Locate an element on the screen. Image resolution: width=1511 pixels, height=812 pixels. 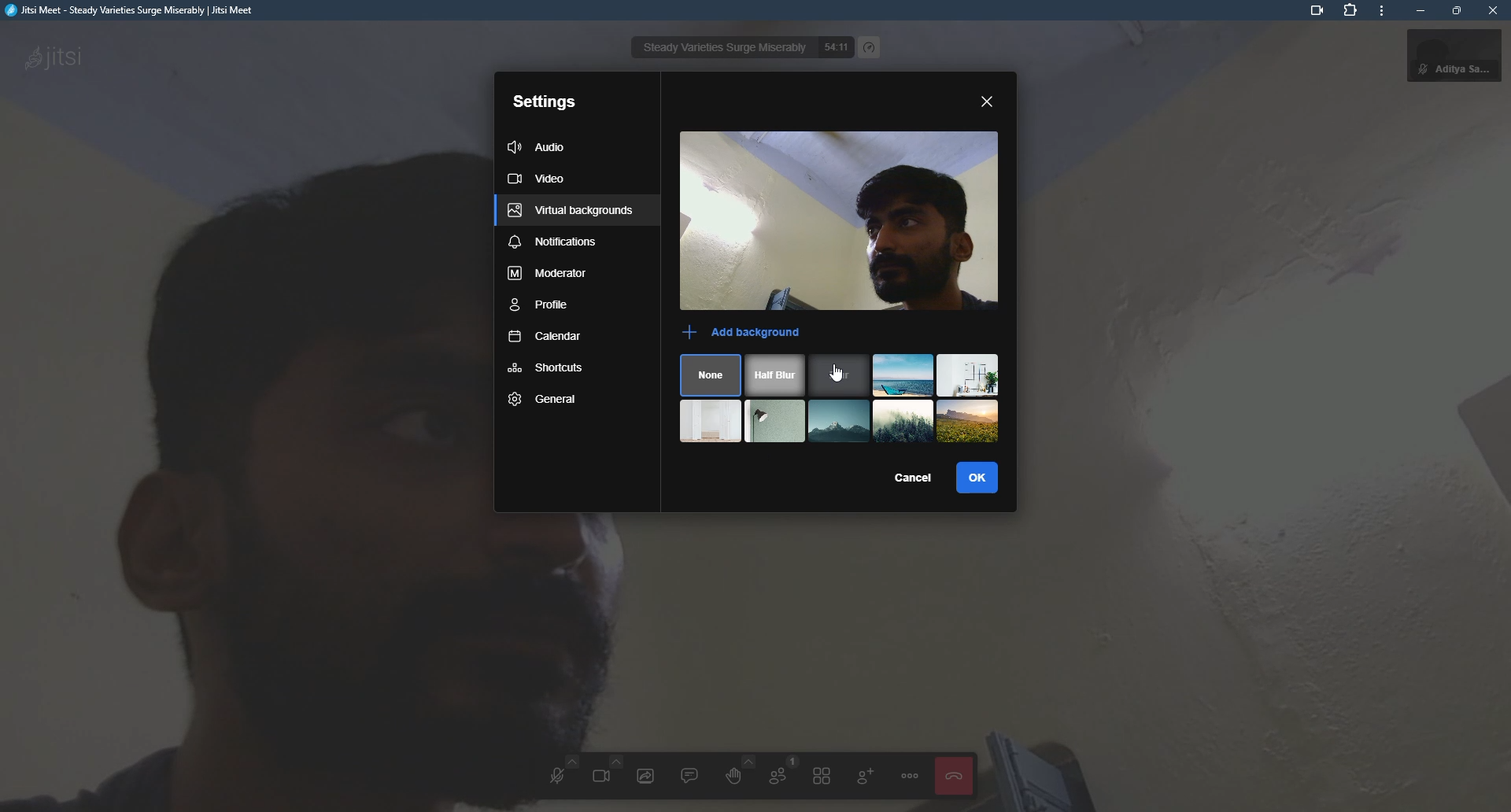
moderator is located at coordinates (549, 276).